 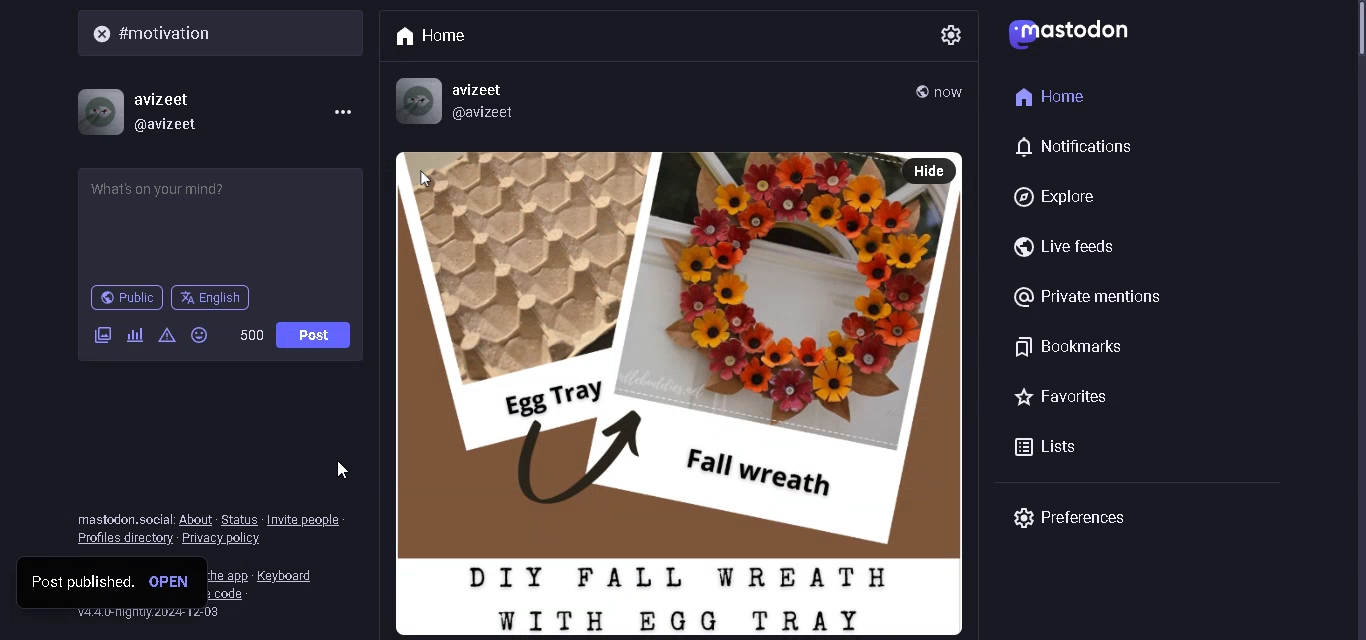 I want to click on content warning, so click(x=170, y=339).